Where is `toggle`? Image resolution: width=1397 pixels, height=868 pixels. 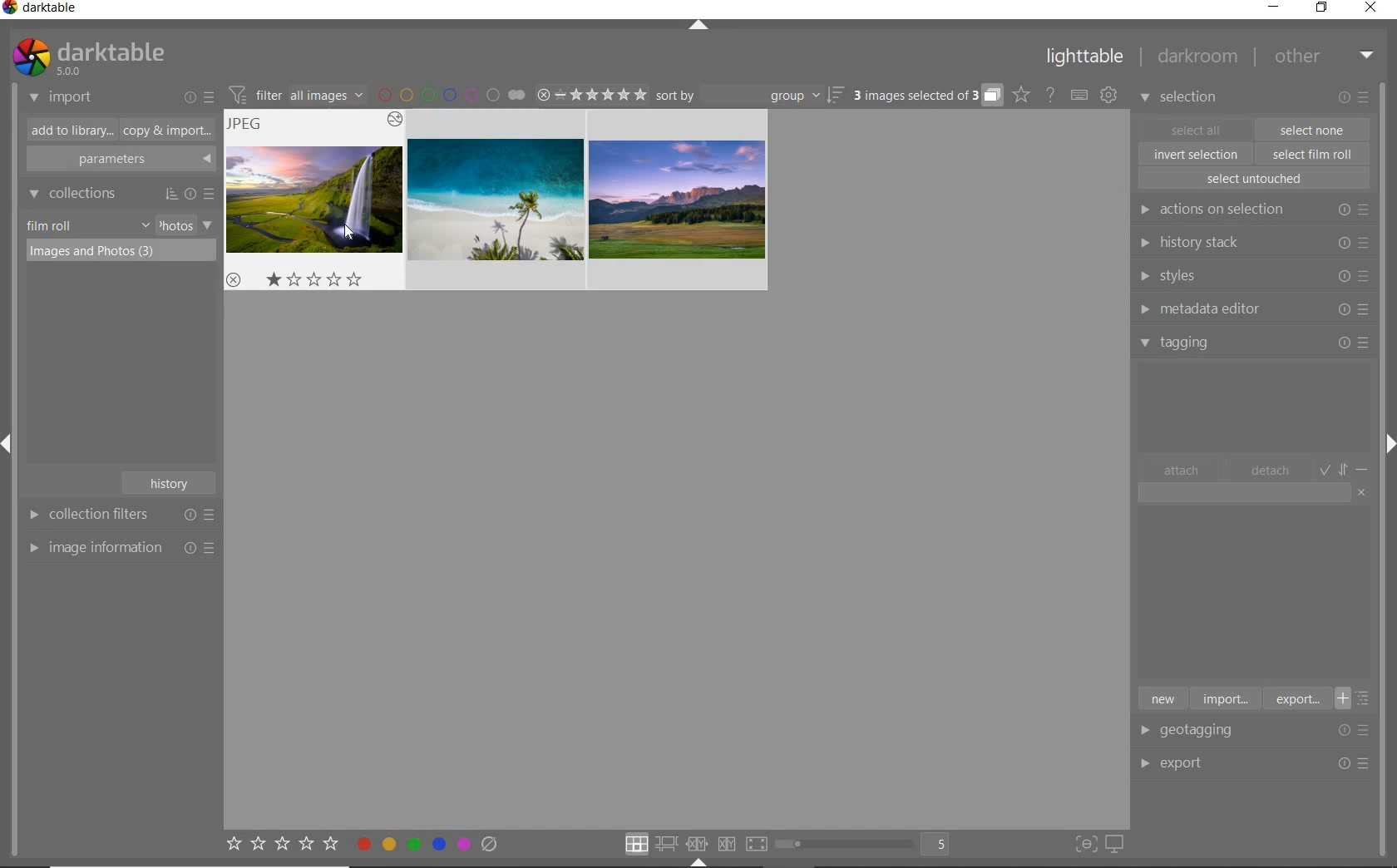
toggle is located at coordinates (1345, 468).